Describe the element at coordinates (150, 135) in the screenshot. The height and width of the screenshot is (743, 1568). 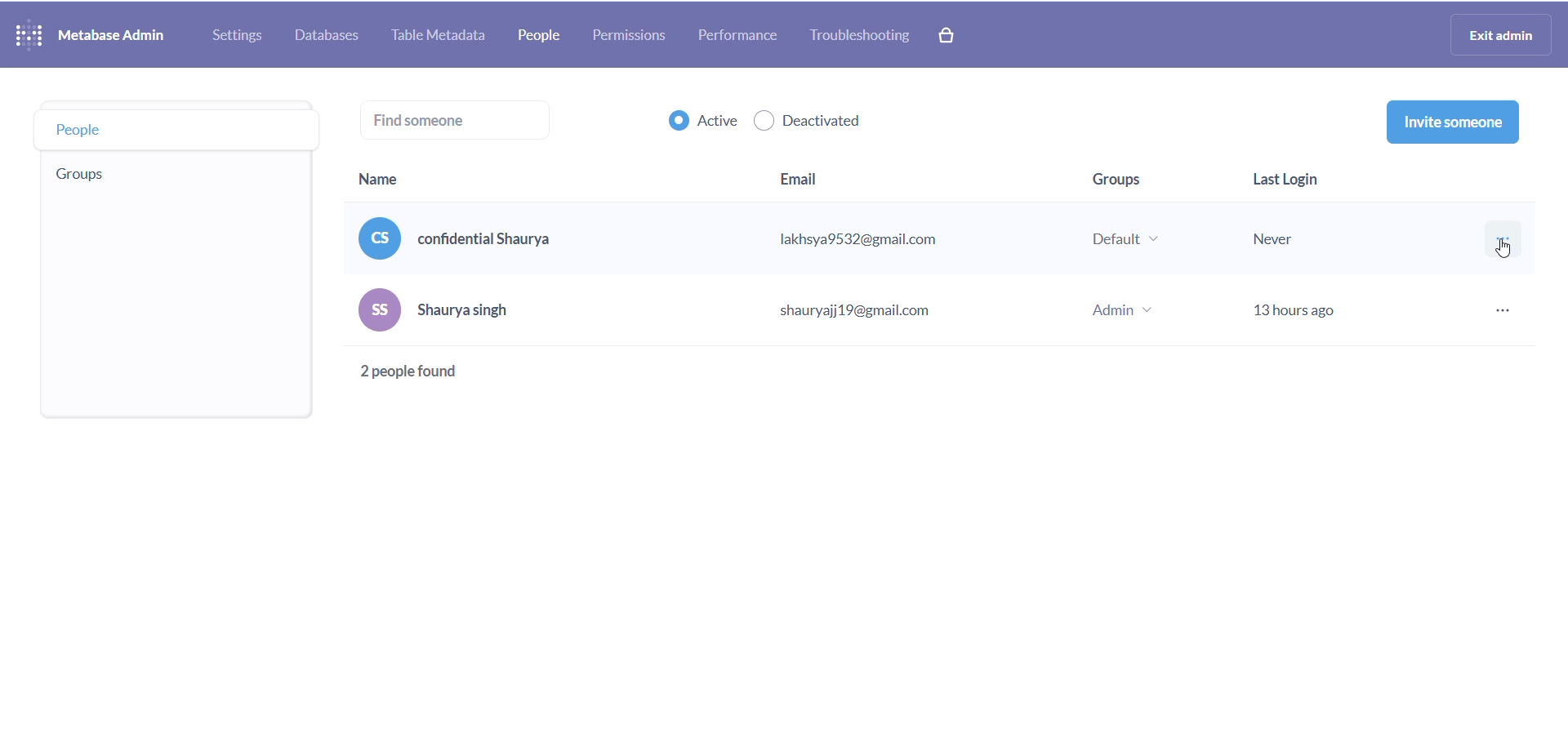
I see `people` at that location.